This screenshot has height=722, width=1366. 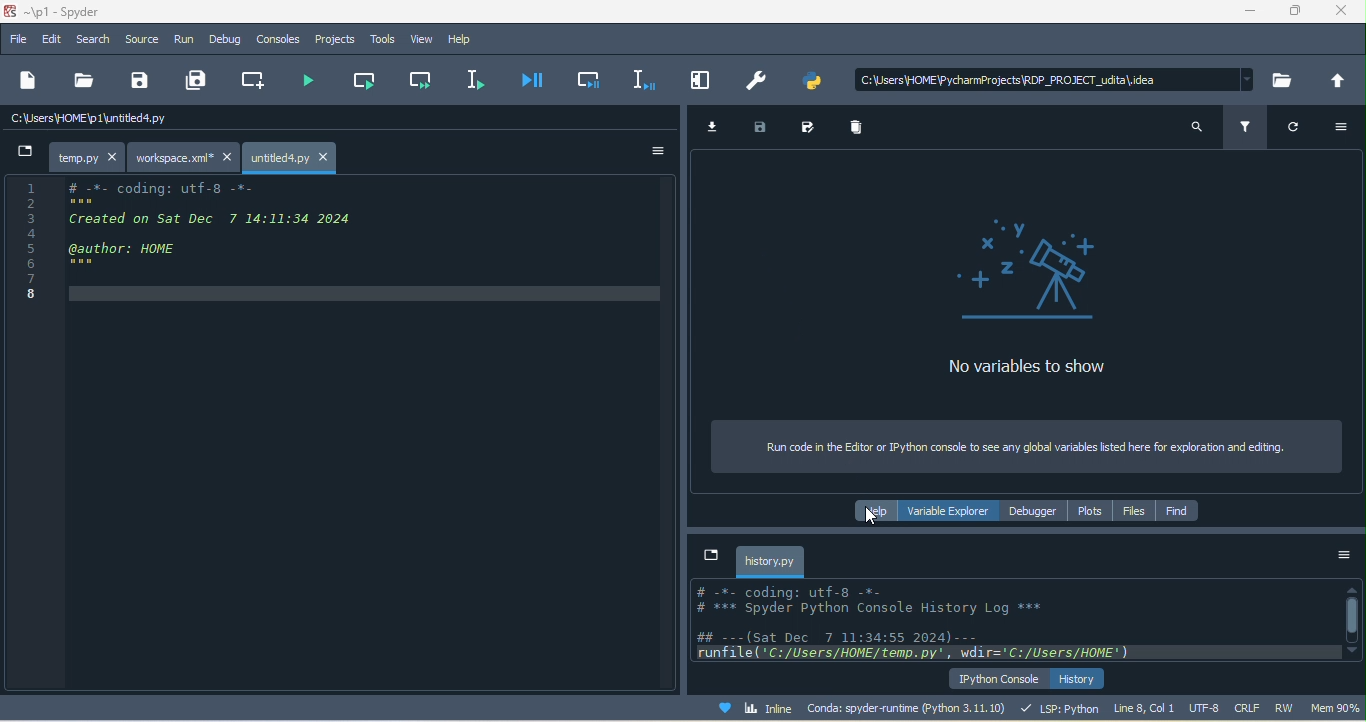 I want to click on pythonpath manager, so click(x=817, y=80).